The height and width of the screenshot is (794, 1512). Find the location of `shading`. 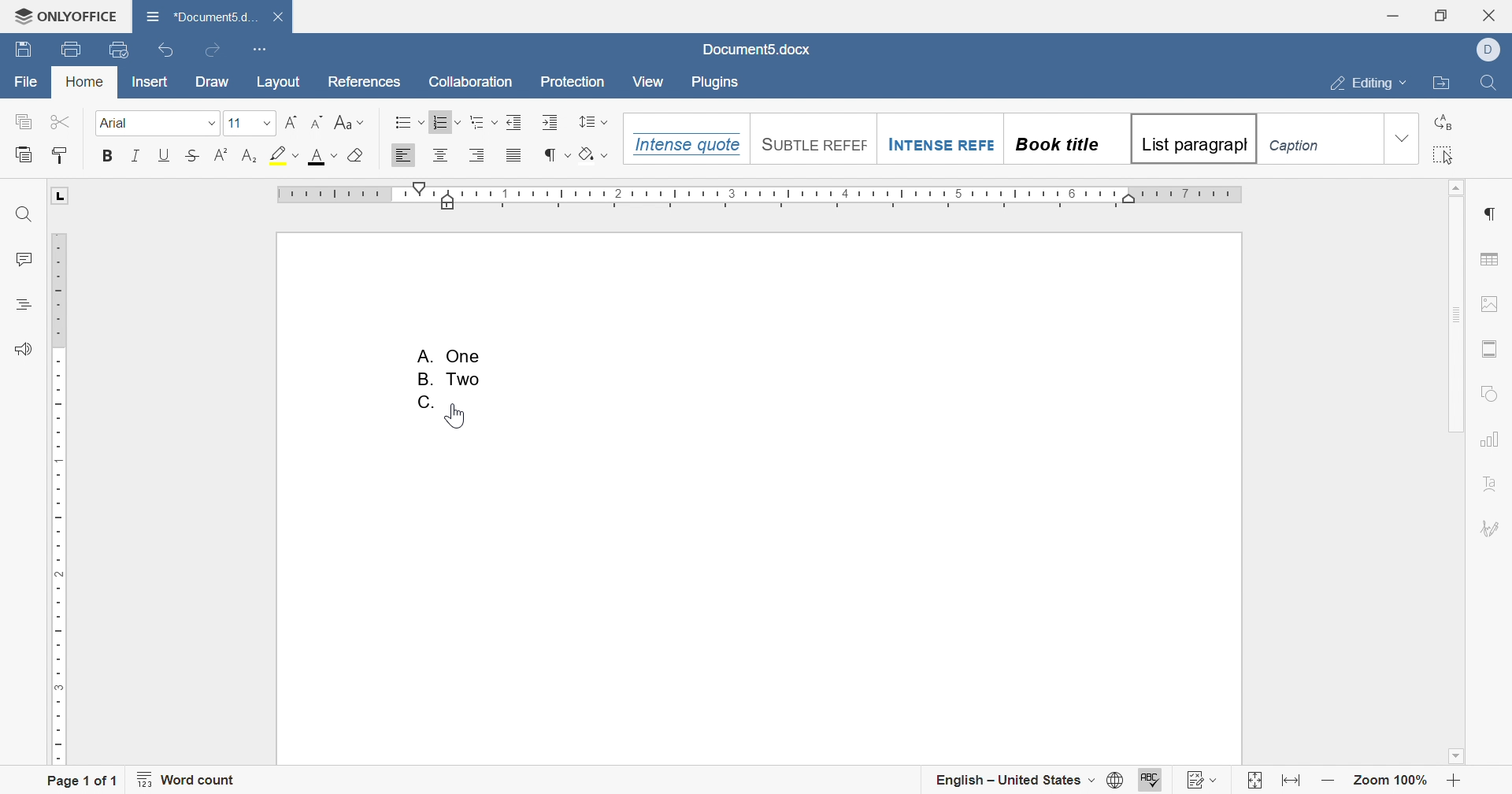

shading is located at coordinates (591, 153).